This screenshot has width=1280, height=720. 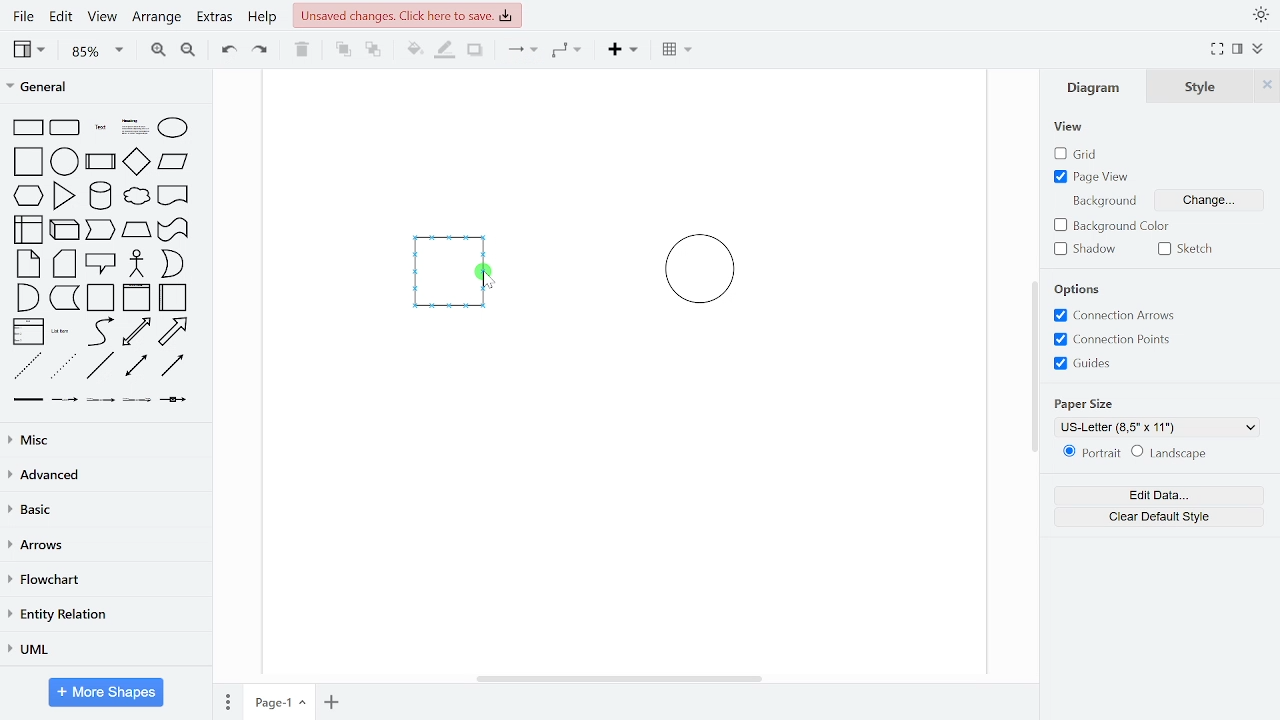 I want to click on clear default style, so click(x=1169, y=454).